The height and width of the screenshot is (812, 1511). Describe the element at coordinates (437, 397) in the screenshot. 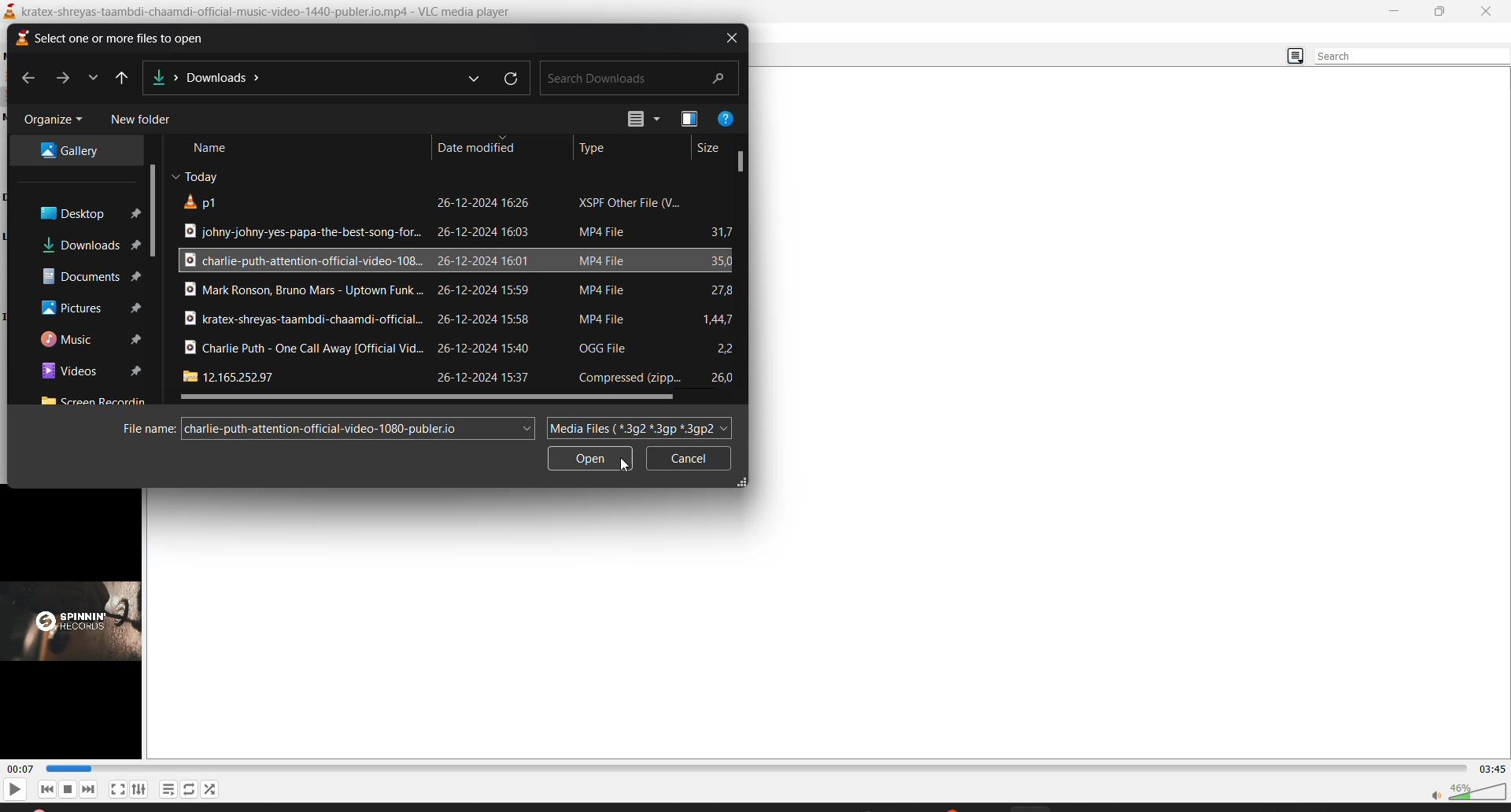

I see `horizontal scroll bar` at that location.